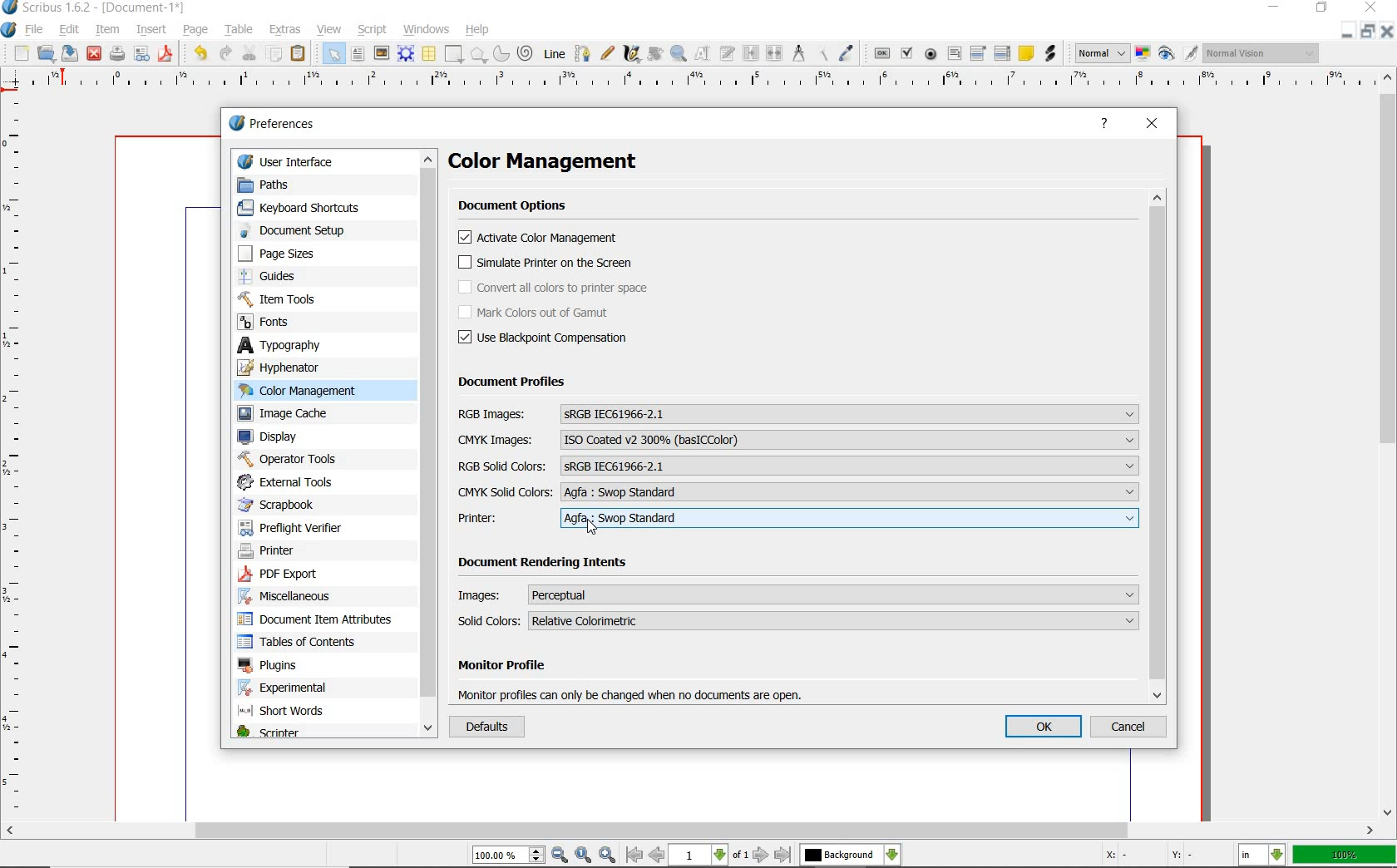 This screenshot has height=868, width=1397. What do you see at coordinates (633, 56) in the screenshot?
I see `calligraphic line` at bounding box center [633, 56].